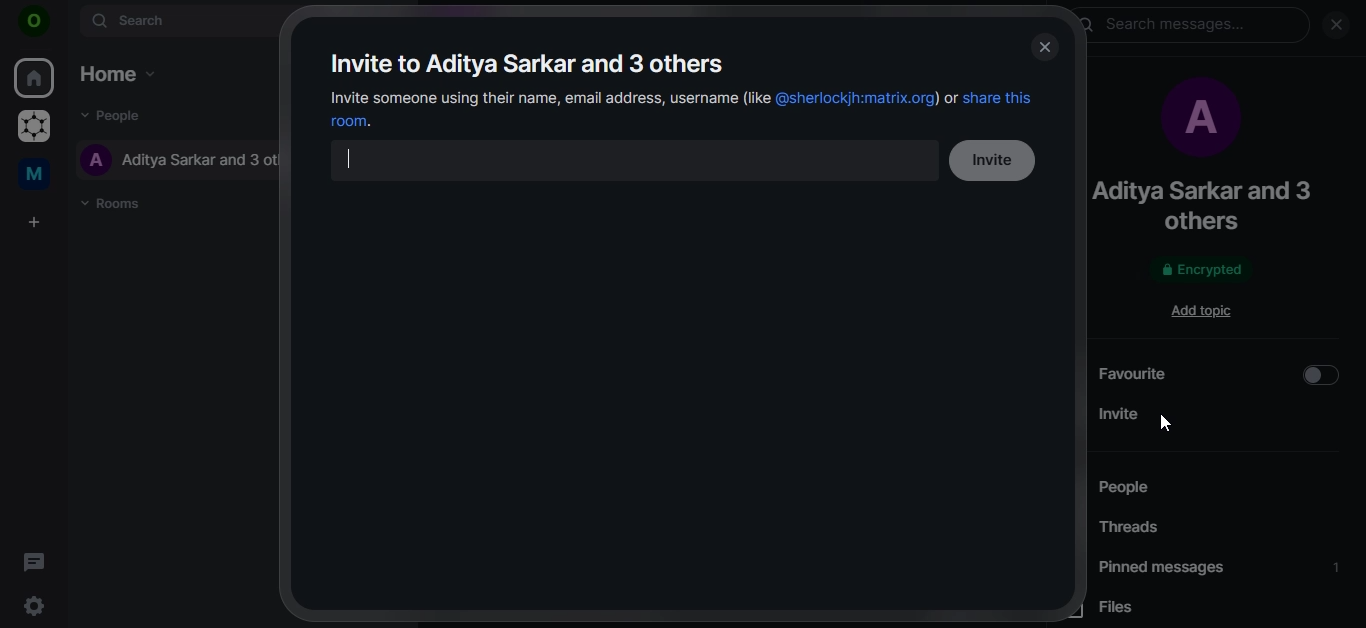 This screenshot has height=628, width=1366. Describe the element at coordinates (1134, 529) in the screenshot. I see `threads` at that location.